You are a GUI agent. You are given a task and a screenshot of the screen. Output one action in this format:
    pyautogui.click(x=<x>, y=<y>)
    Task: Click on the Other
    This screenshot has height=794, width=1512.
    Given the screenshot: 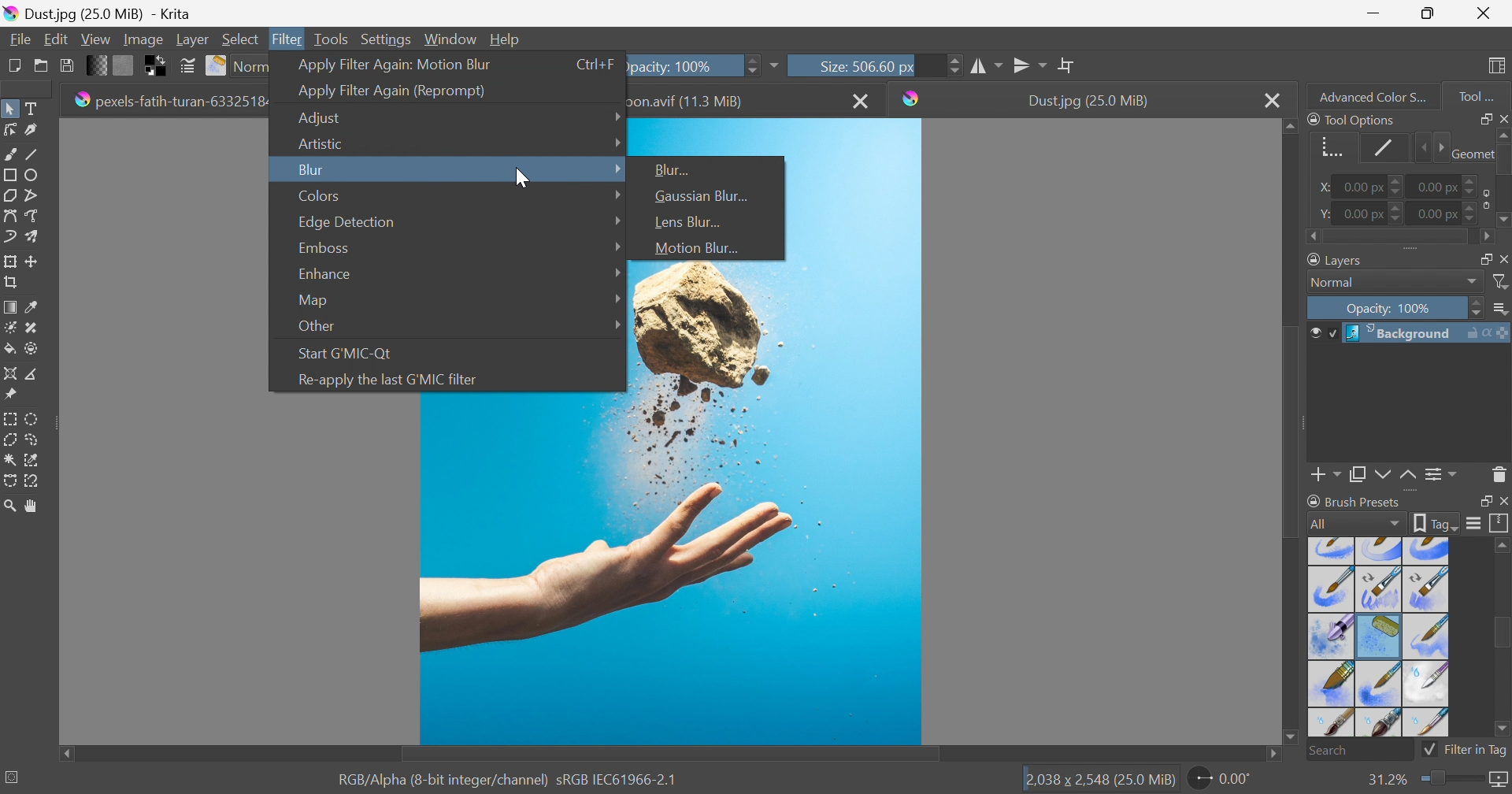 What is the action you would take?
    pyautogui.click(x=317, y=327)
    